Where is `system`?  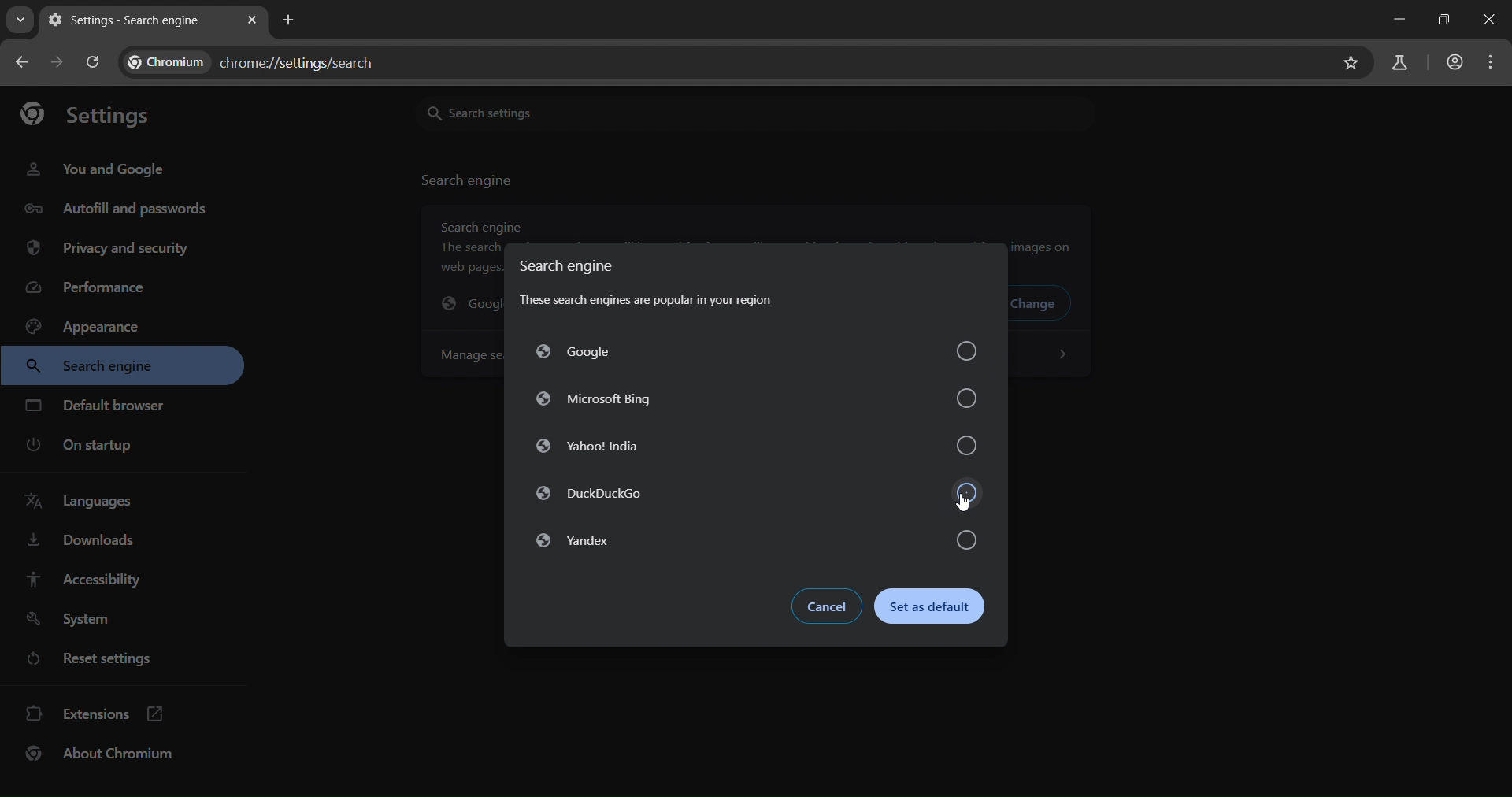
system is located at coordinates (79, 618).